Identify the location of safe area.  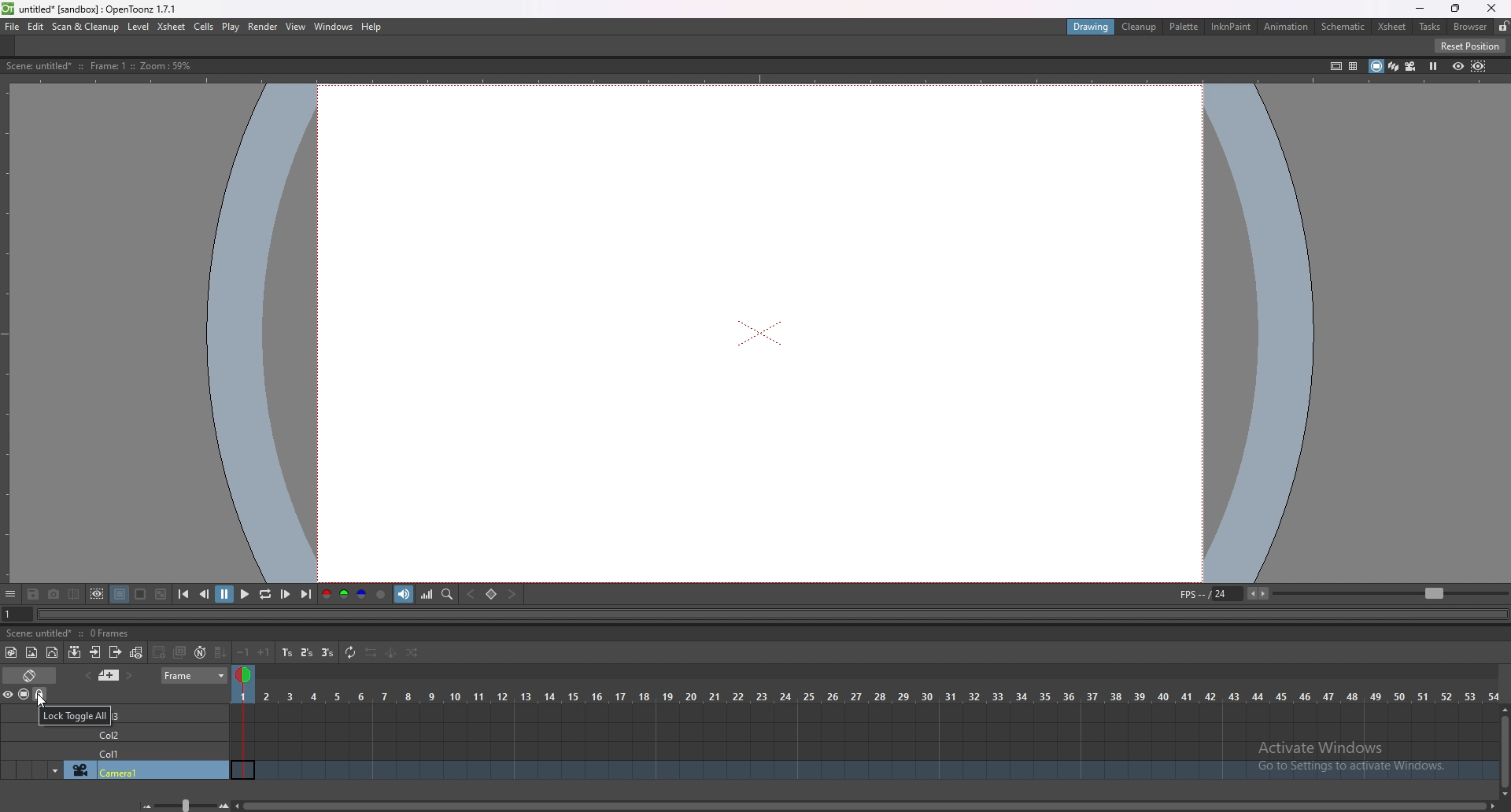
(1335, 65).